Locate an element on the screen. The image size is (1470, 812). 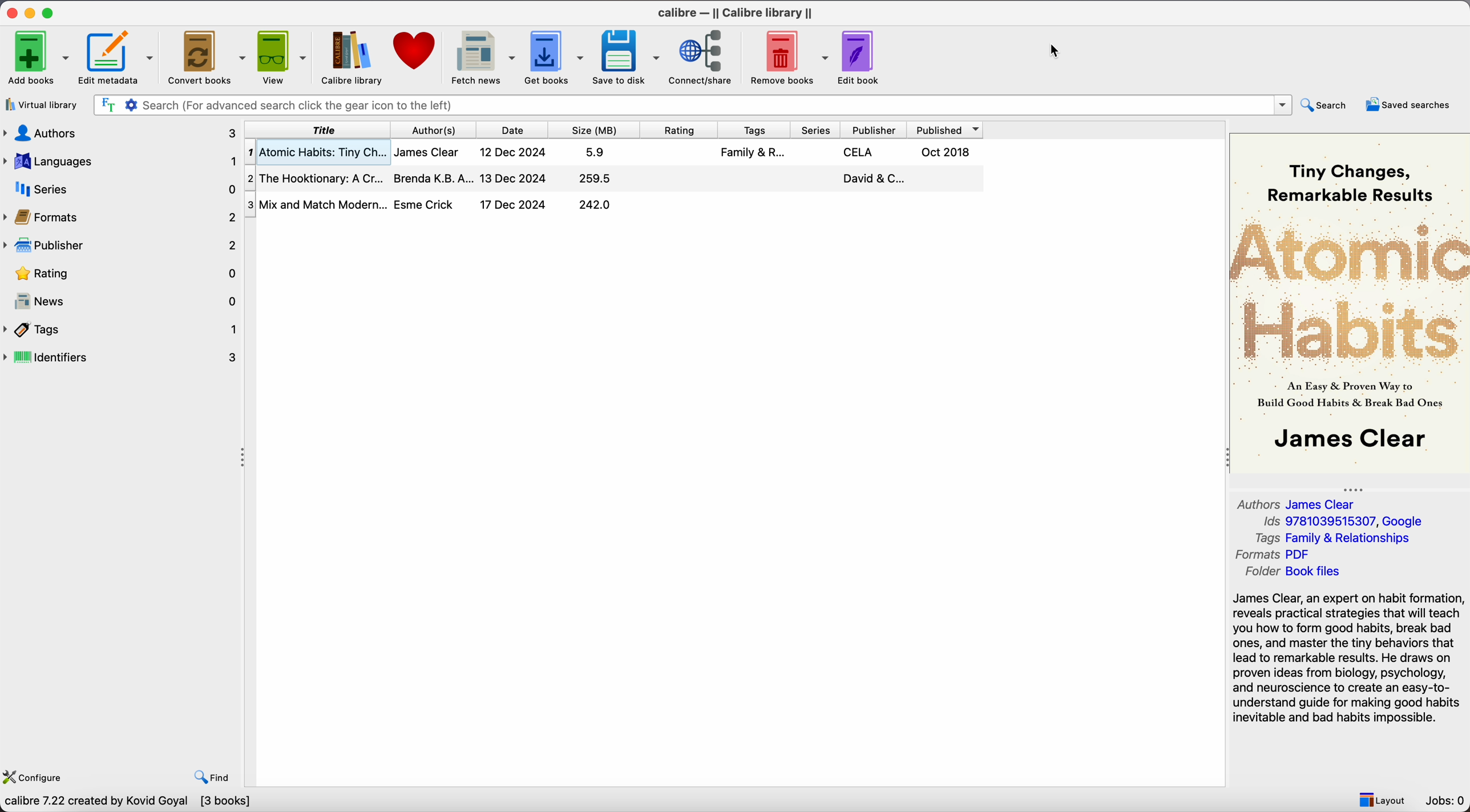
publisher is located at coordinates (879, 130).